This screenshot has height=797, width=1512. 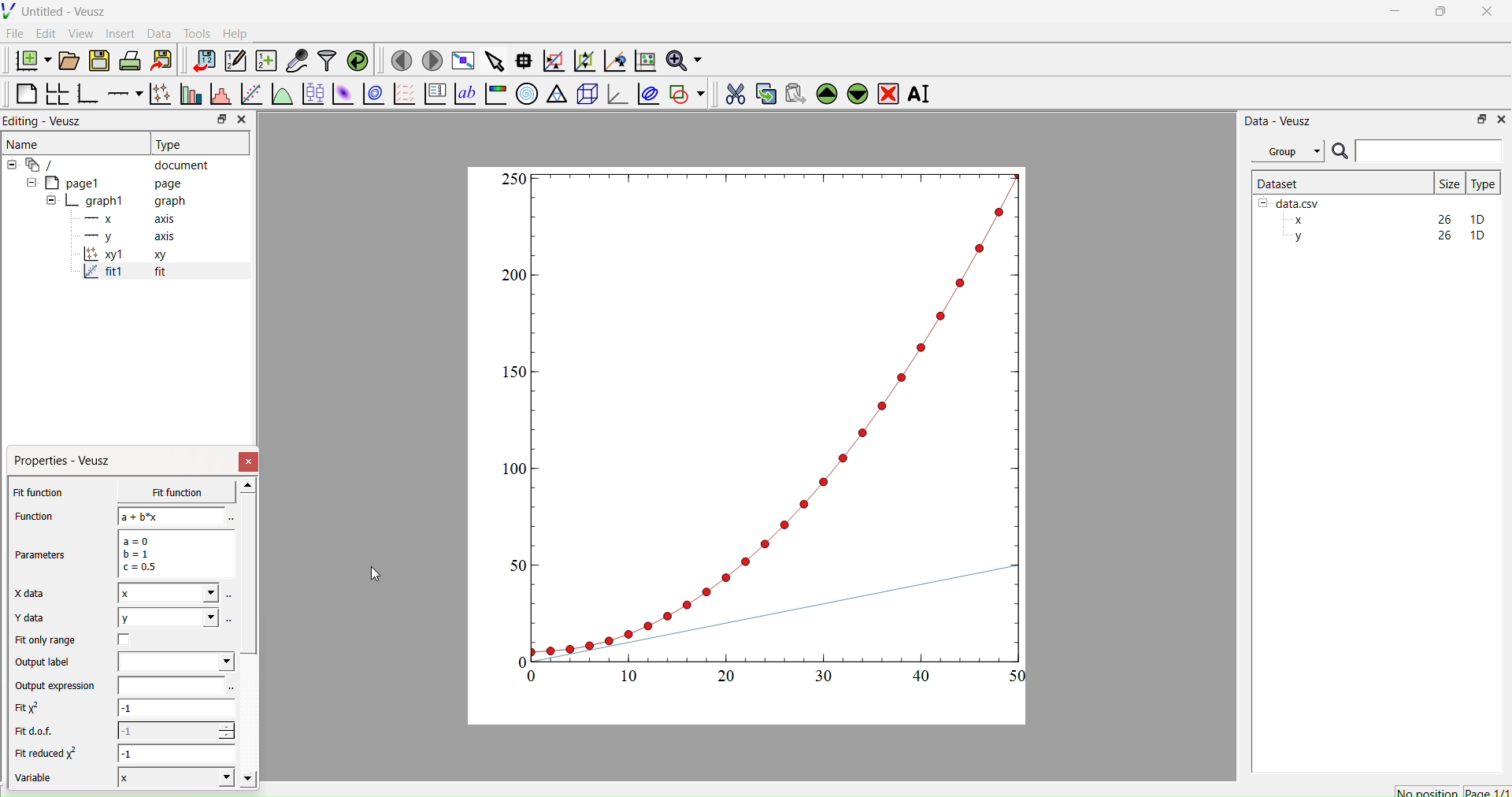 I want to click on Up, so click(x=825, y=91).